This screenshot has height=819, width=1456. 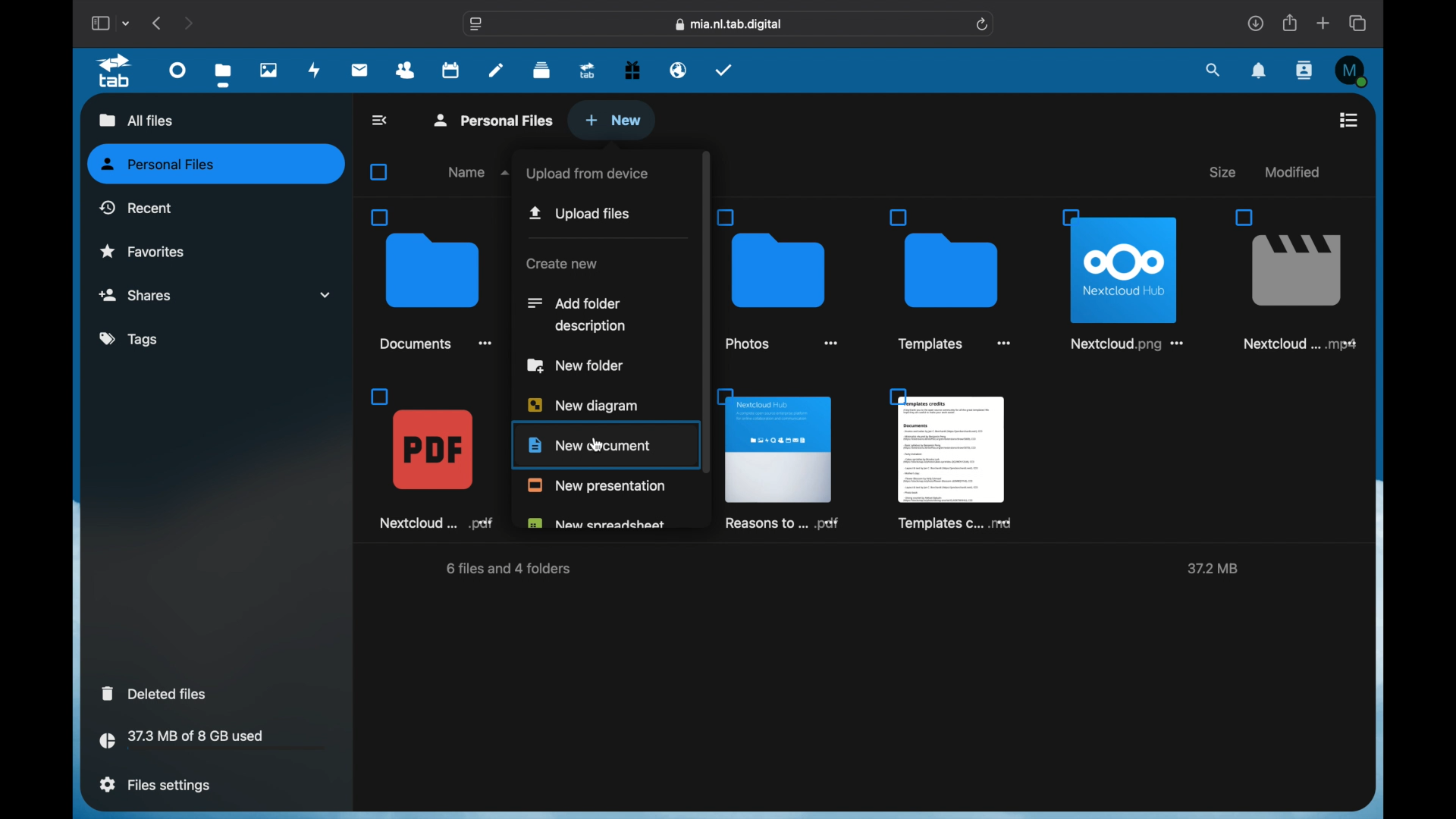 I want to click on 6 files and 4 folders, so click(x=511, y=570).